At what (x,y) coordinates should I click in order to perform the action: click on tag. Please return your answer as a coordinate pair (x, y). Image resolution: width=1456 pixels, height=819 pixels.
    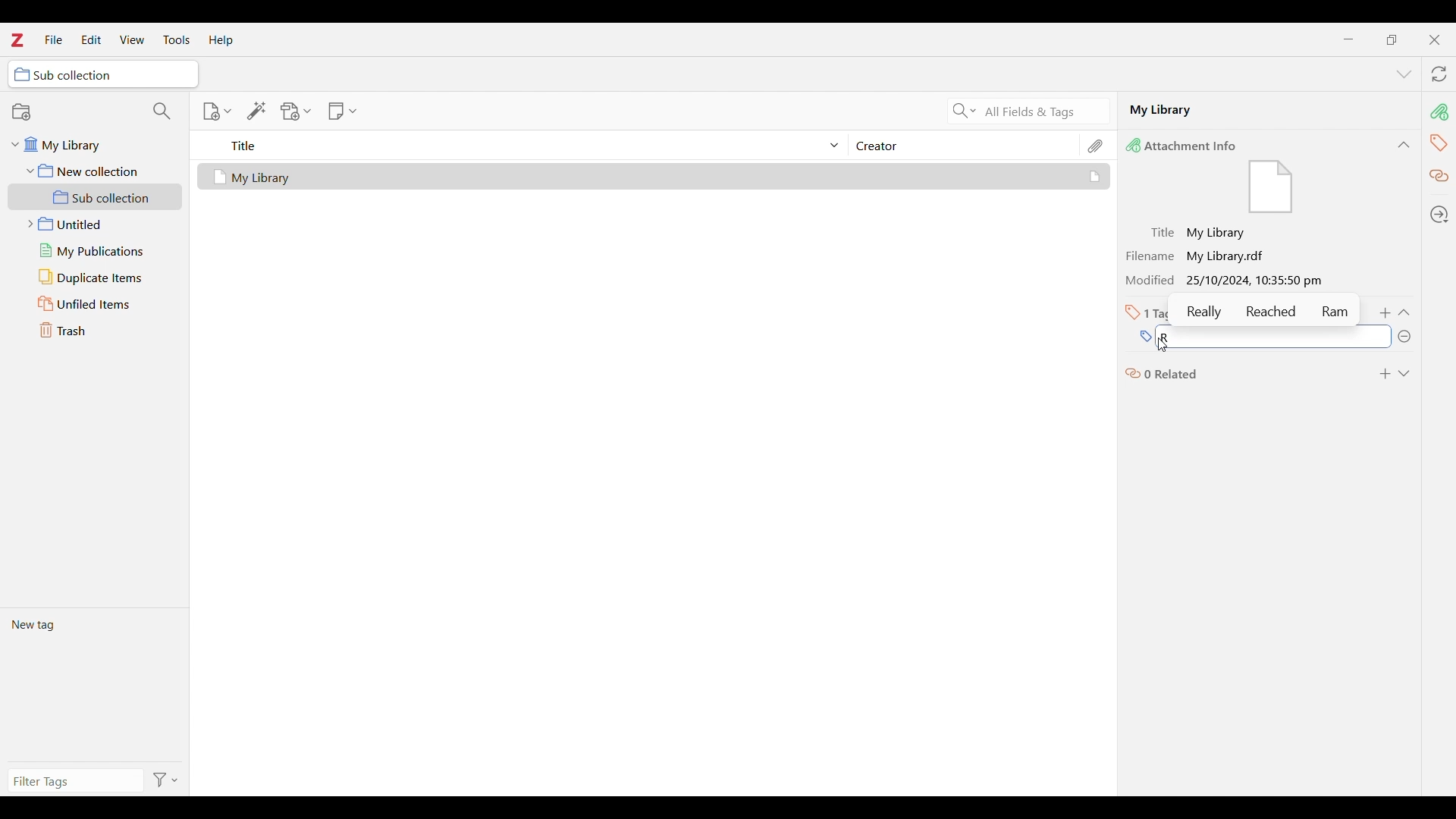
    Looking at the image, I should click on (1439, 142).